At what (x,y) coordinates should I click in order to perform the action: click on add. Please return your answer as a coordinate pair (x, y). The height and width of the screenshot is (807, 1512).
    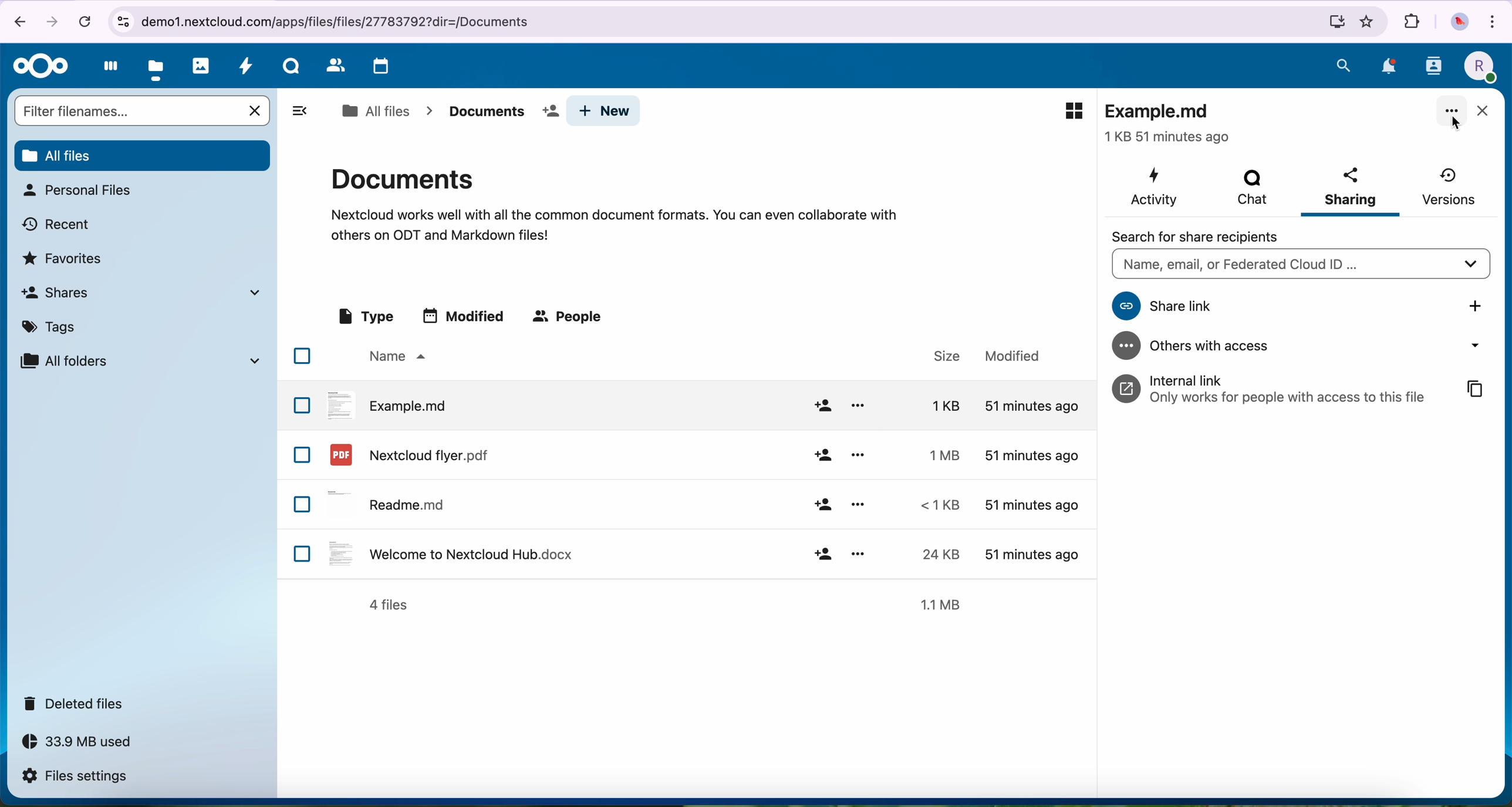
    Looking at the image, I should click on (824, 553).